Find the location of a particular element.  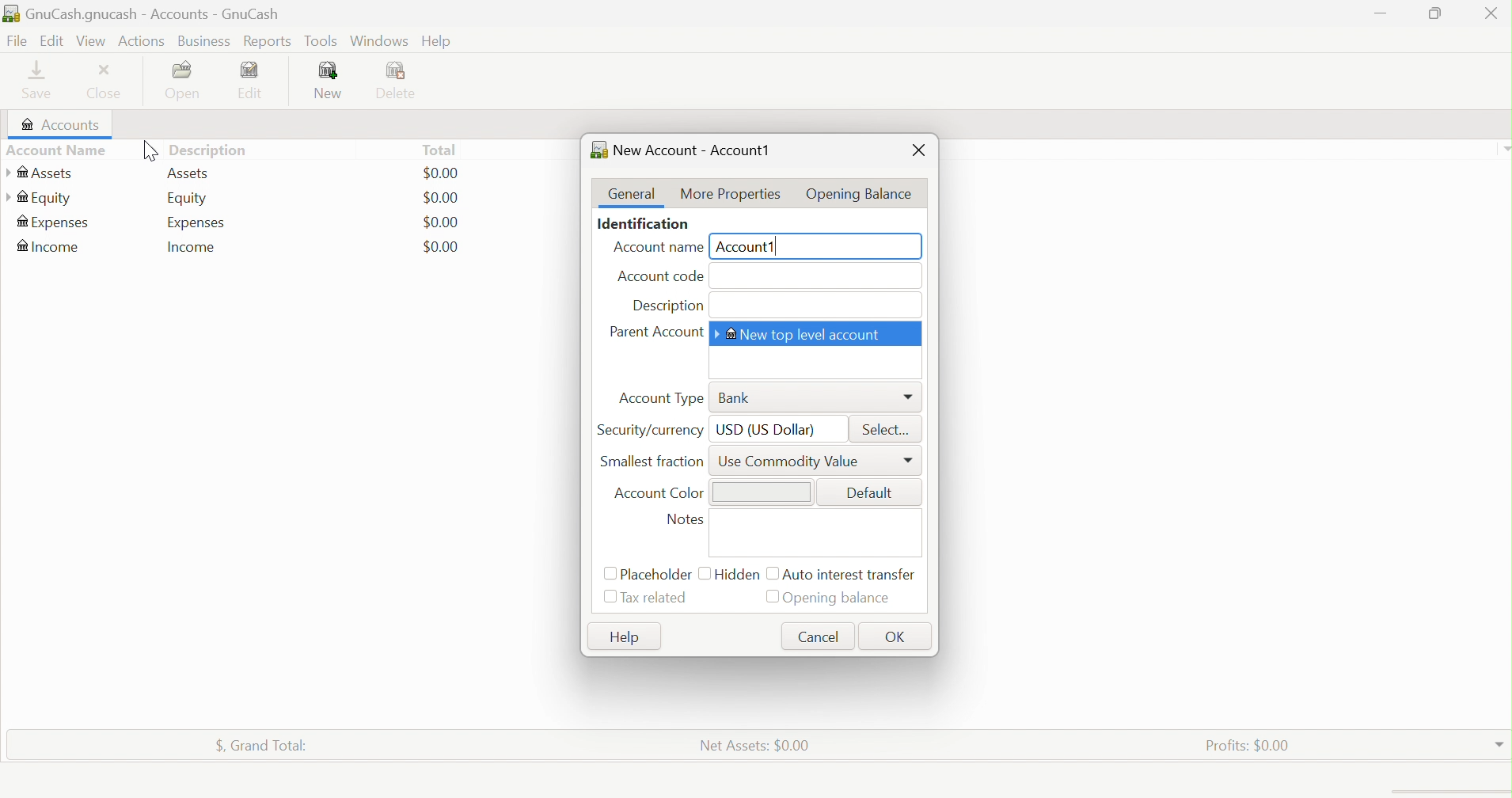

Auto interest transfer is located at coordinates (852, 575).